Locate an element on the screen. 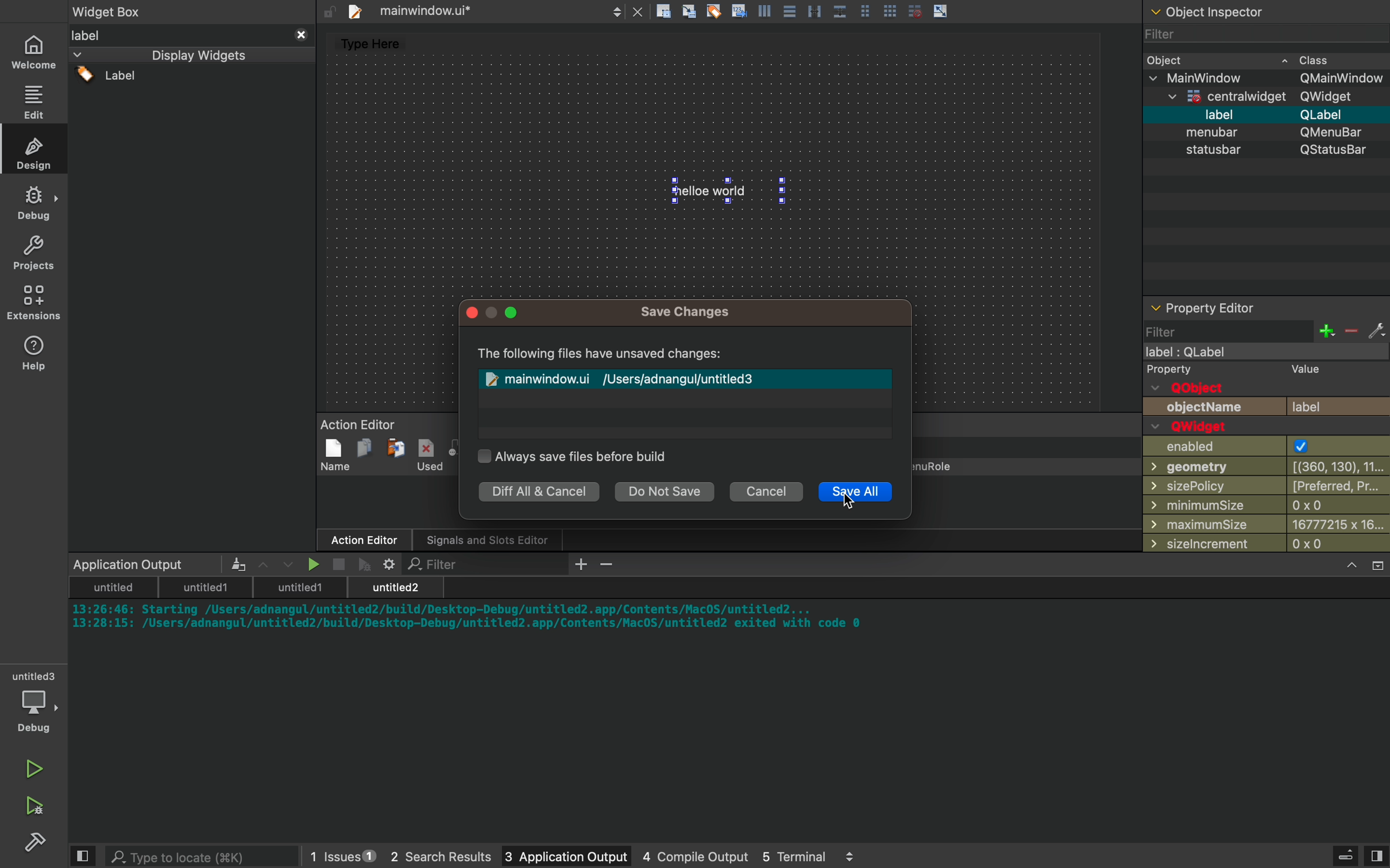 The height and width of the screenshot is (868, 1390).  is located at coordinates (1257, 133).